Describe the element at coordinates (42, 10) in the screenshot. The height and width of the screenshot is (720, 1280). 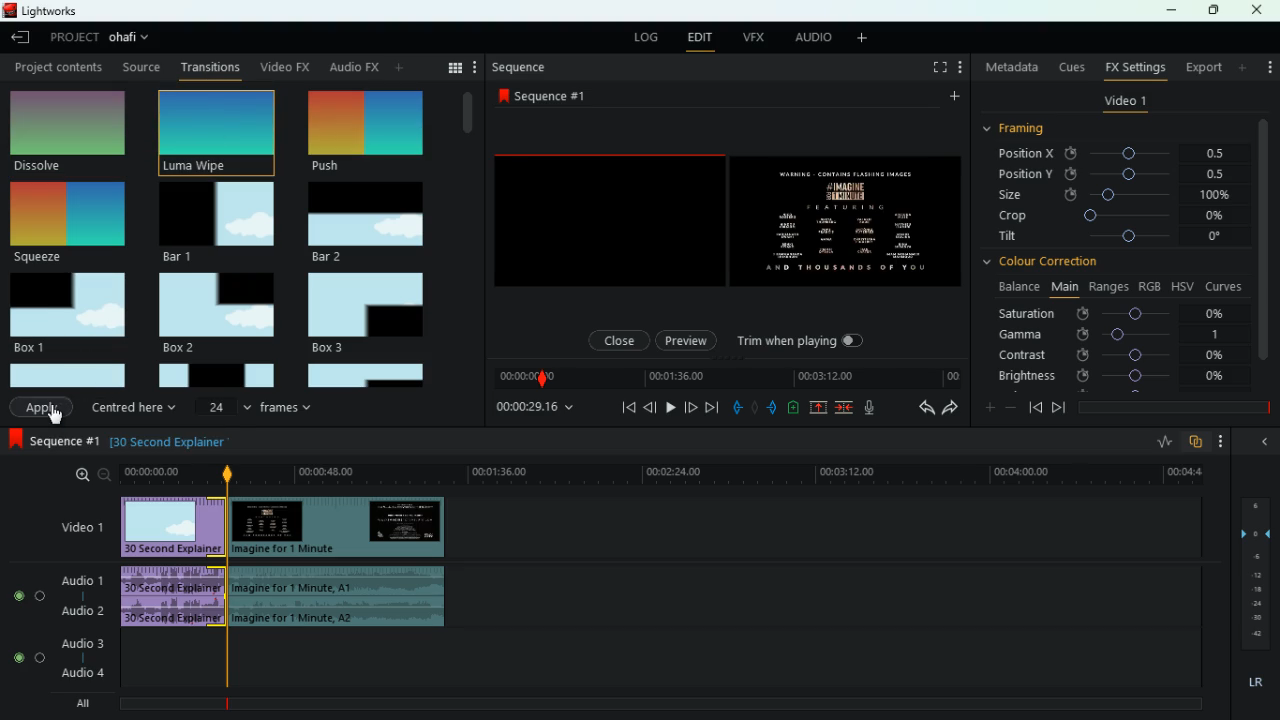
I see `lightworks` at that location.